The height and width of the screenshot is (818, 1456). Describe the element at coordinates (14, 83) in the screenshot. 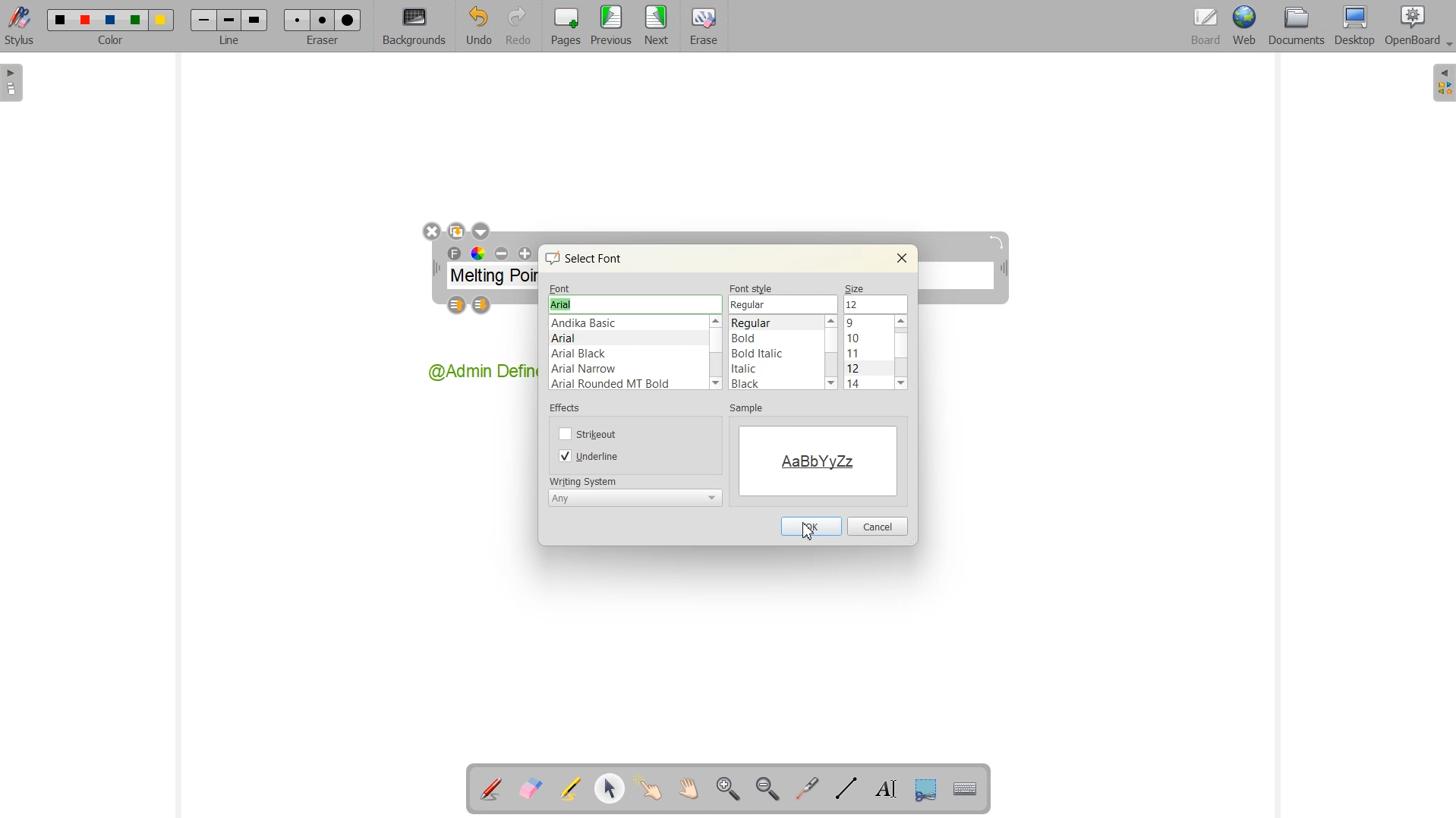

I see `Sidebar` at that location.